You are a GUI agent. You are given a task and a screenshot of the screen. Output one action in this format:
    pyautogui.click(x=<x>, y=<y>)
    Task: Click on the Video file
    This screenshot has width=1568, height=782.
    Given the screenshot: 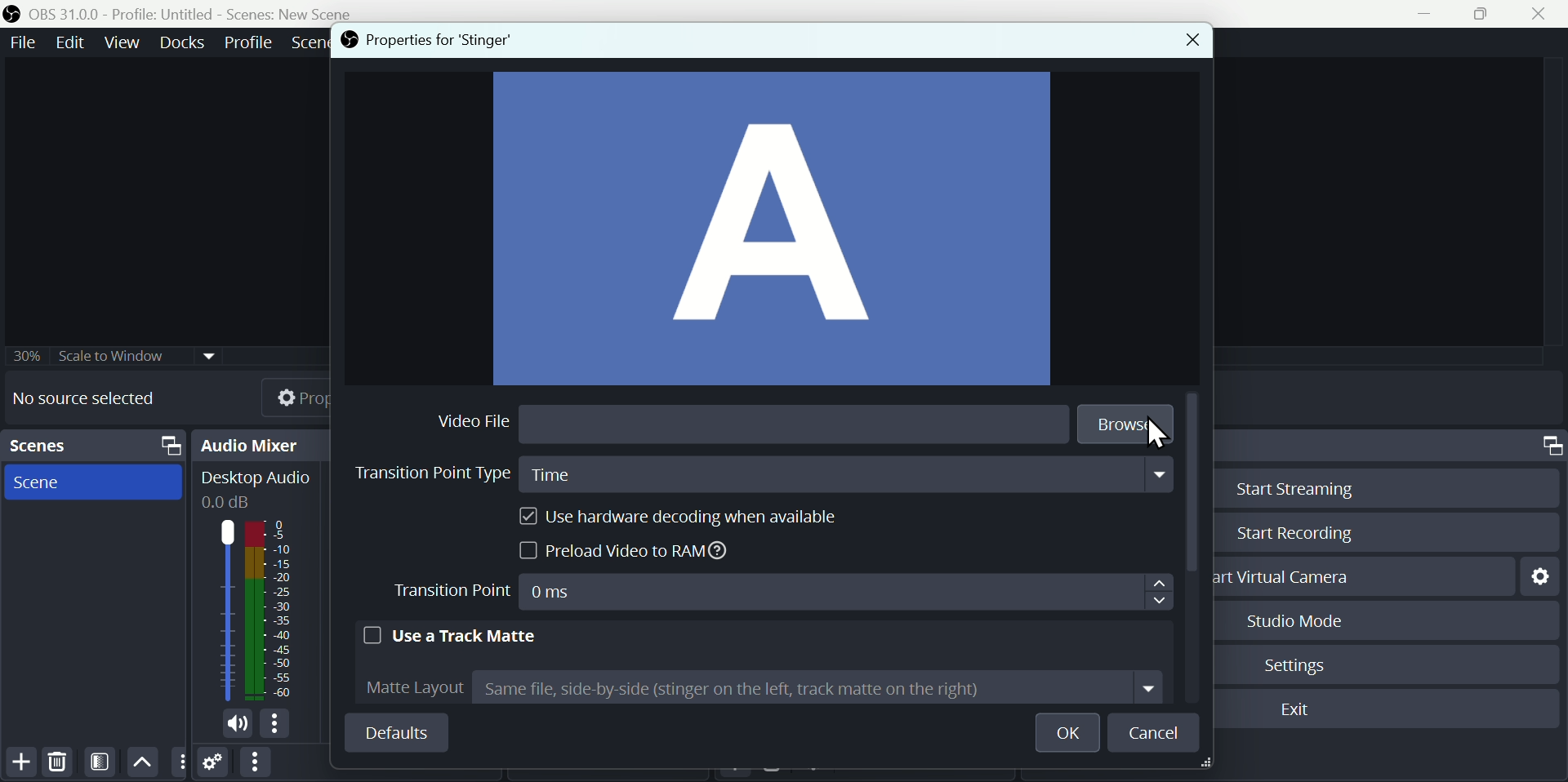 What is the action you would take?
    pyautogui.click(x=476, y=418)
    